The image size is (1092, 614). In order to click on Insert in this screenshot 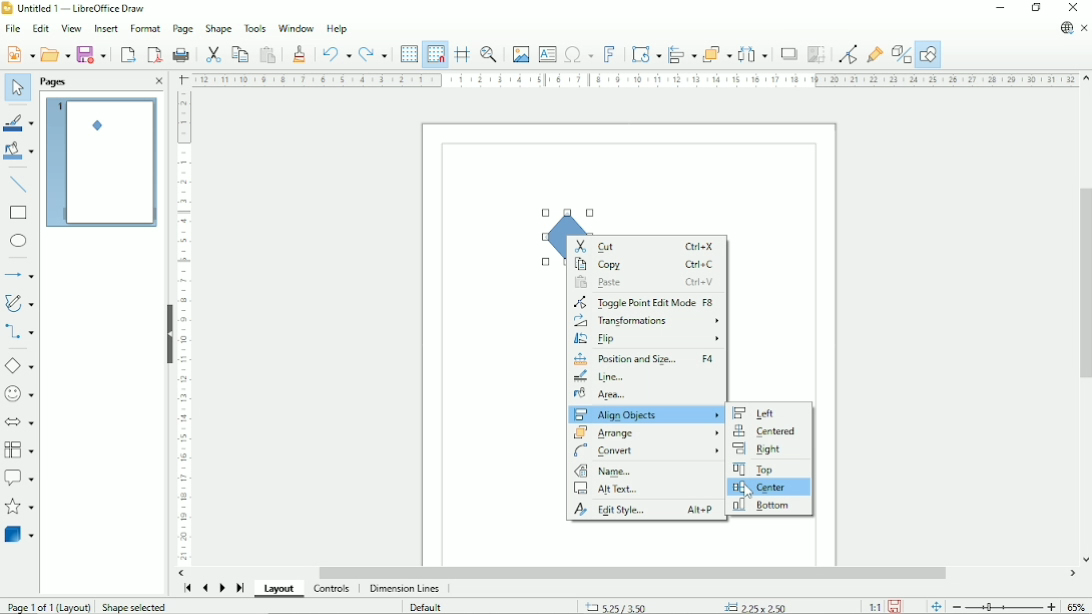, I will do `click(107, 28)`.